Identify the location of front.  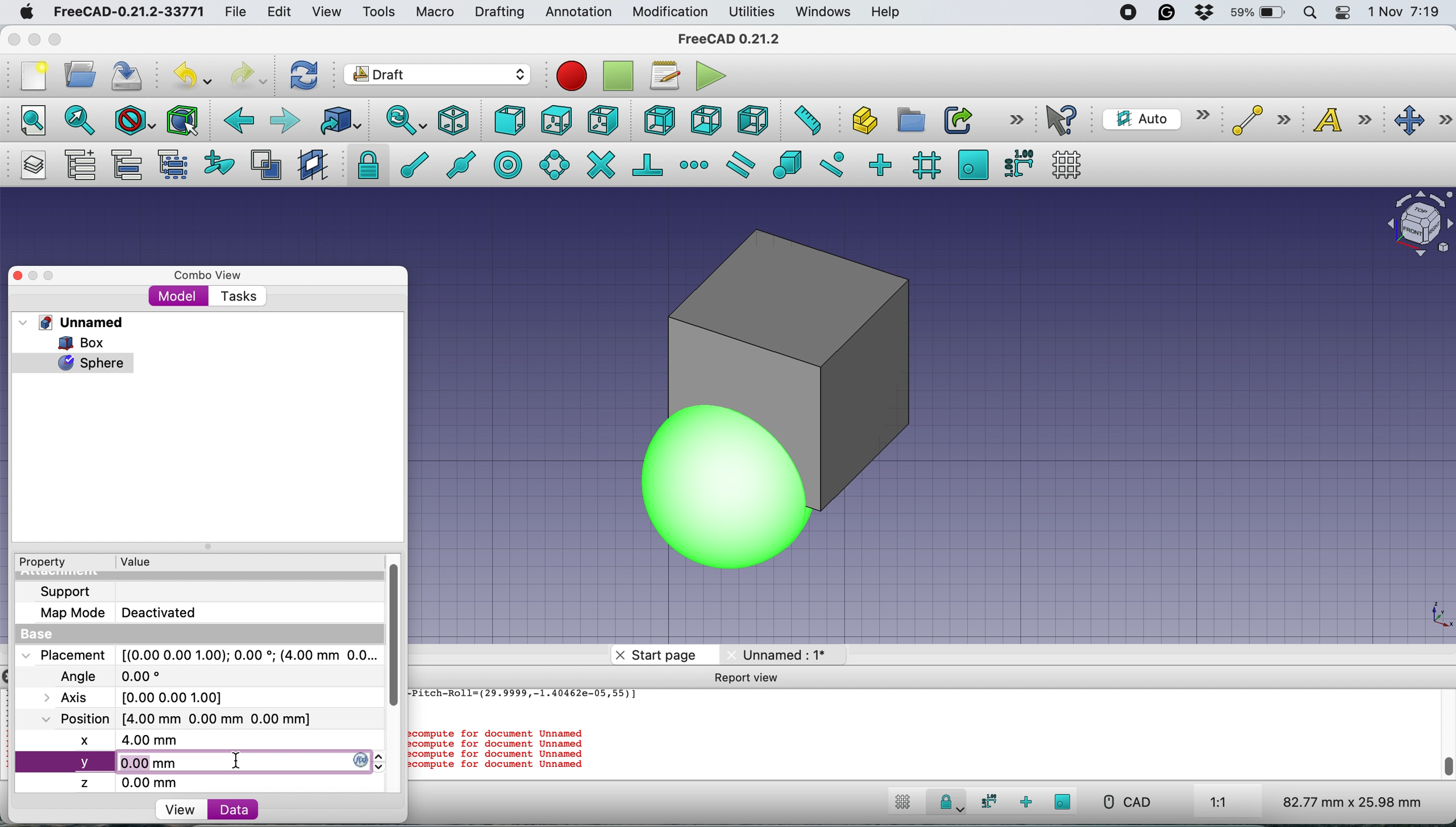
(511, 123).